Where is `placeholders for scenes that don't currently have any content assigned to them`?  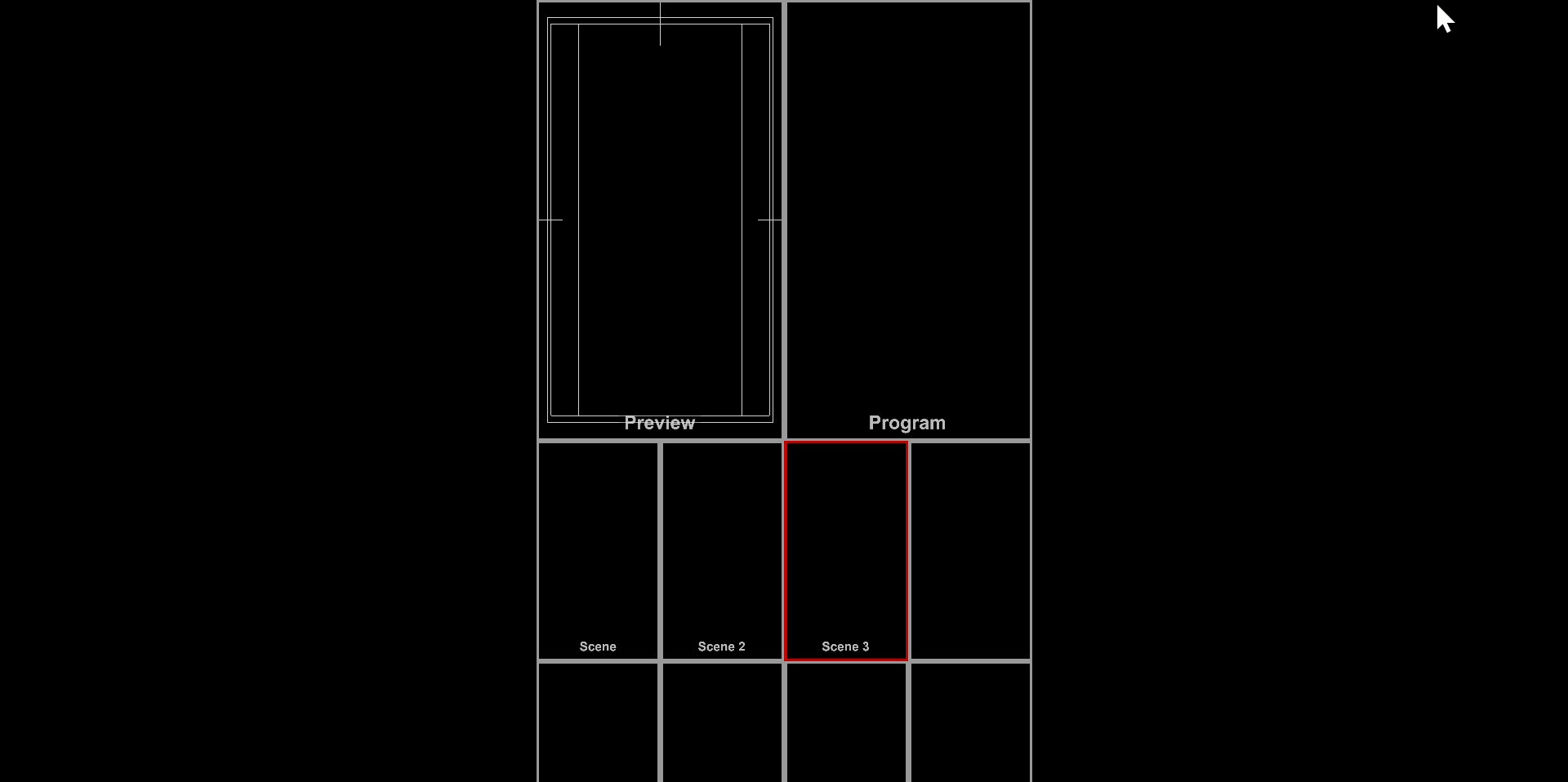
placeholders for scenes that don't currently have any content assigned to them is located at coordinates (849, 723).